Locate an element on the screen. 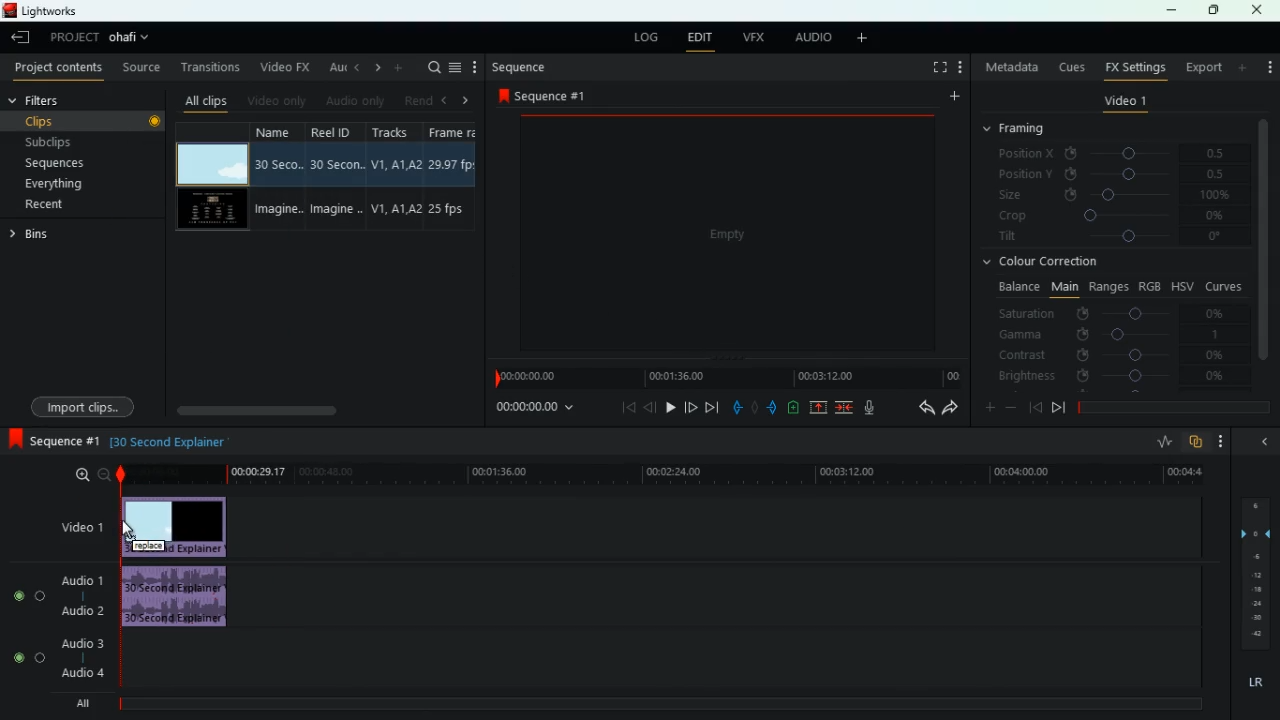 This screenshot has width=1280, height=720. change is located at coordinates (374, 68).